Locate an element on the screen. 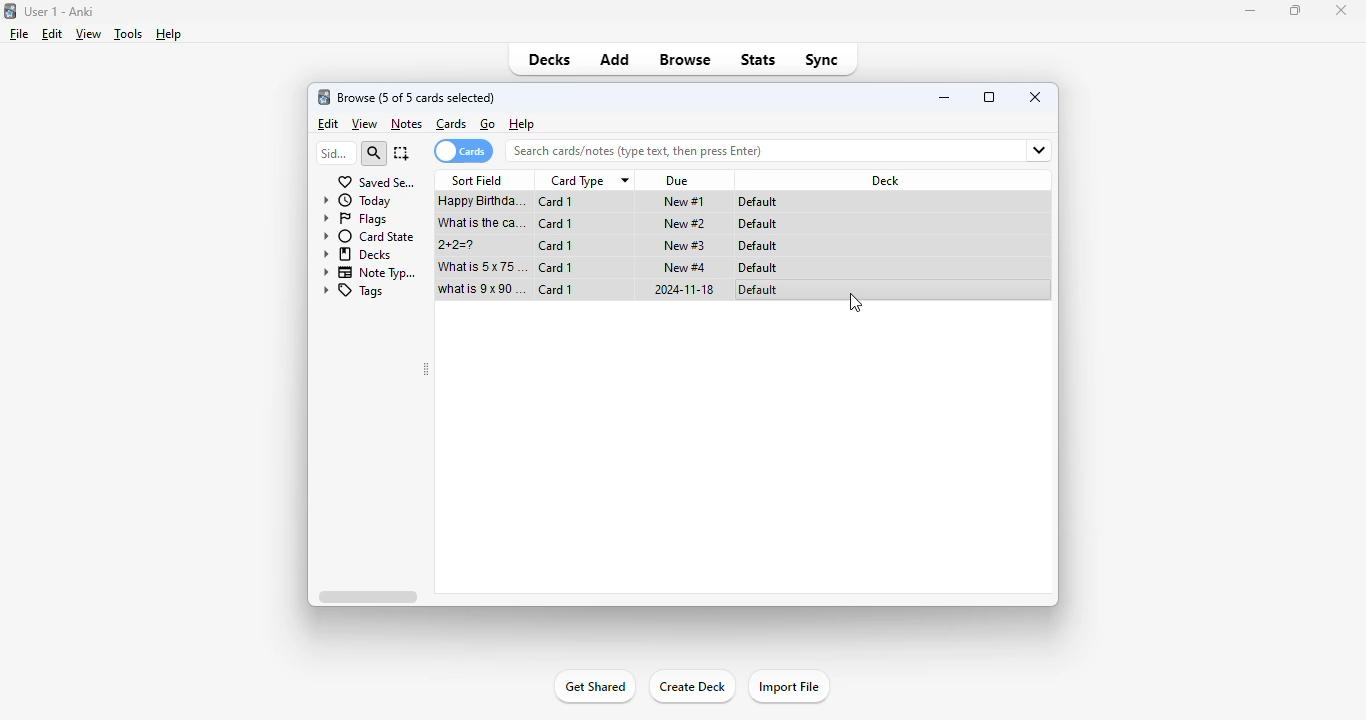  2+2=? is located at coordinates (459, 245).